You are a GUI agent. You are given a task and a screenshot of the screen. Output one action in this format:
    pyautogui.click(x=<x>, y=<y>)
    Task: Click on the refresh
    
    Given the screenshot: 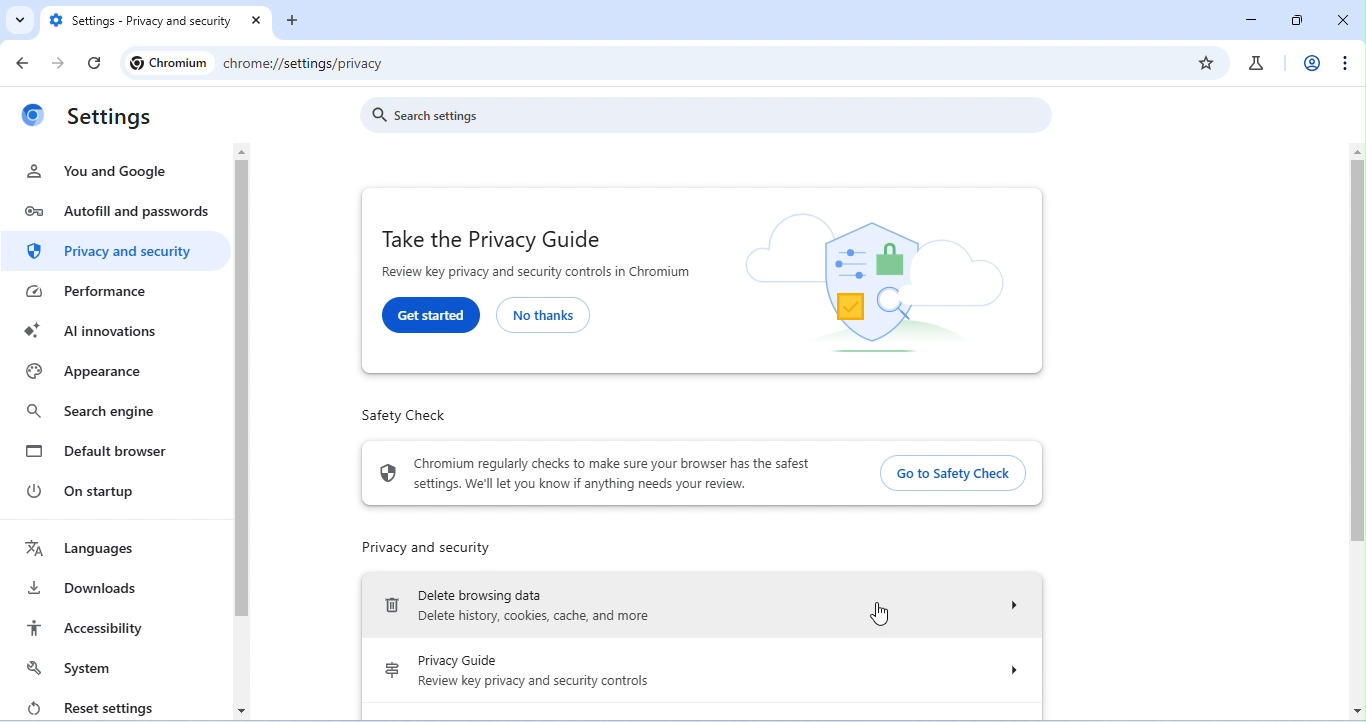 What is the action you would take?
    pyautogui.click(x=95, y=64)
    